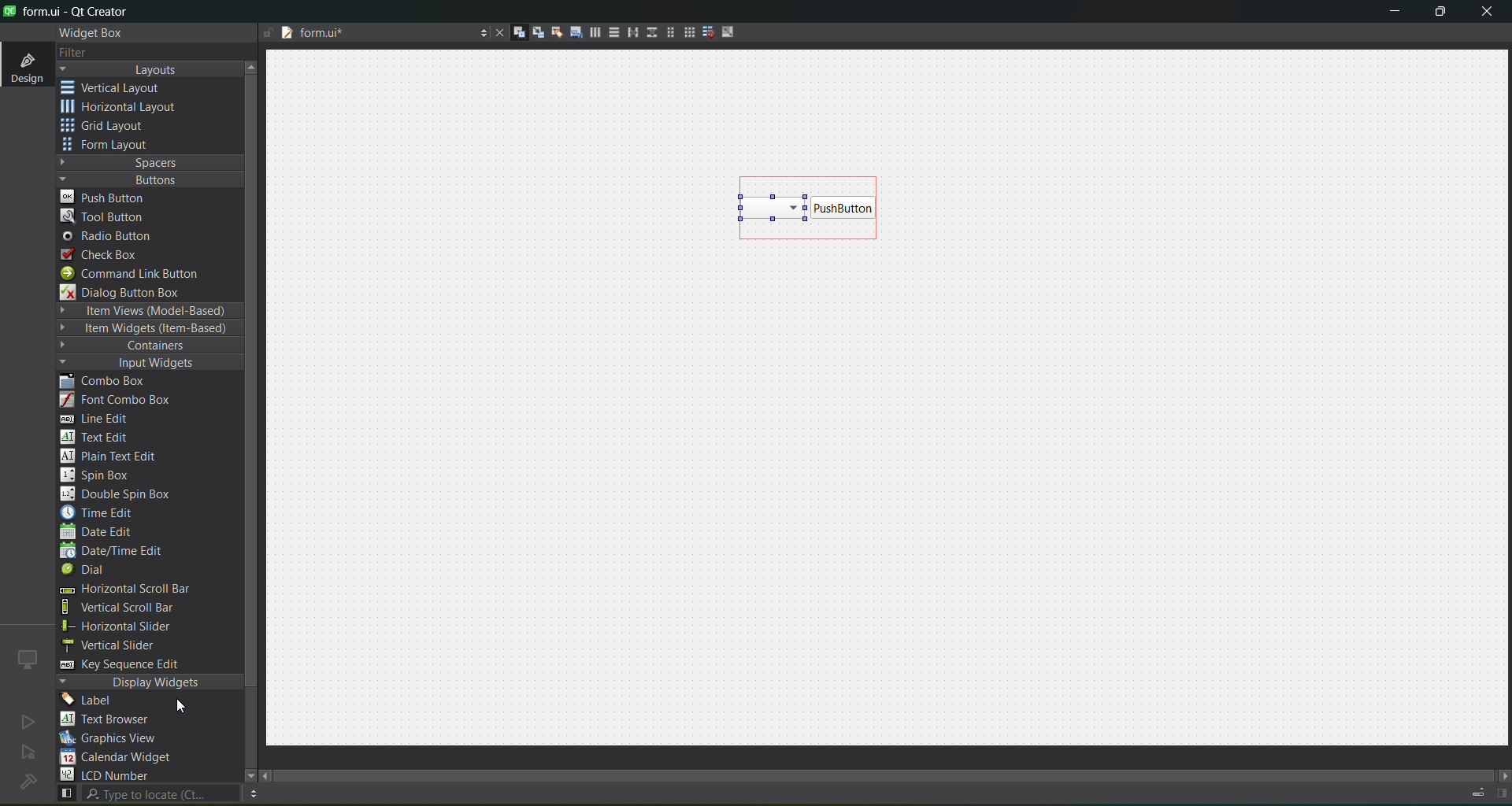 The width and height of the screenshot is (1512, 806). What do you see at coordinates (896, 771) in the screenshot?
I see `scroll bar` at bounding box center [896, 771].